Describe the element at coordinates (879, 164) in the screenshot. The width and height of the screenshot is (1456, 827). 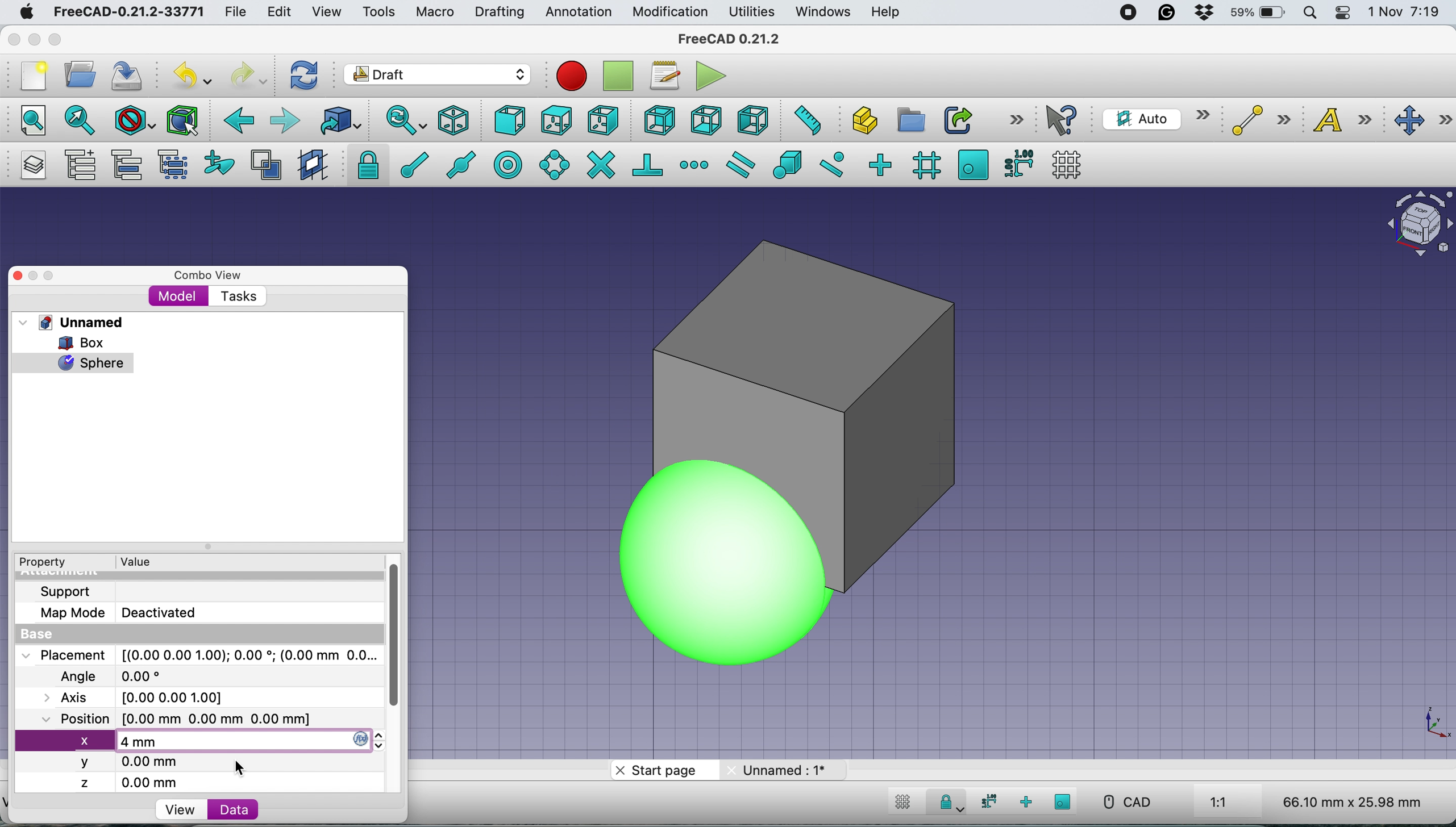
I see `snap ortho` at that location.